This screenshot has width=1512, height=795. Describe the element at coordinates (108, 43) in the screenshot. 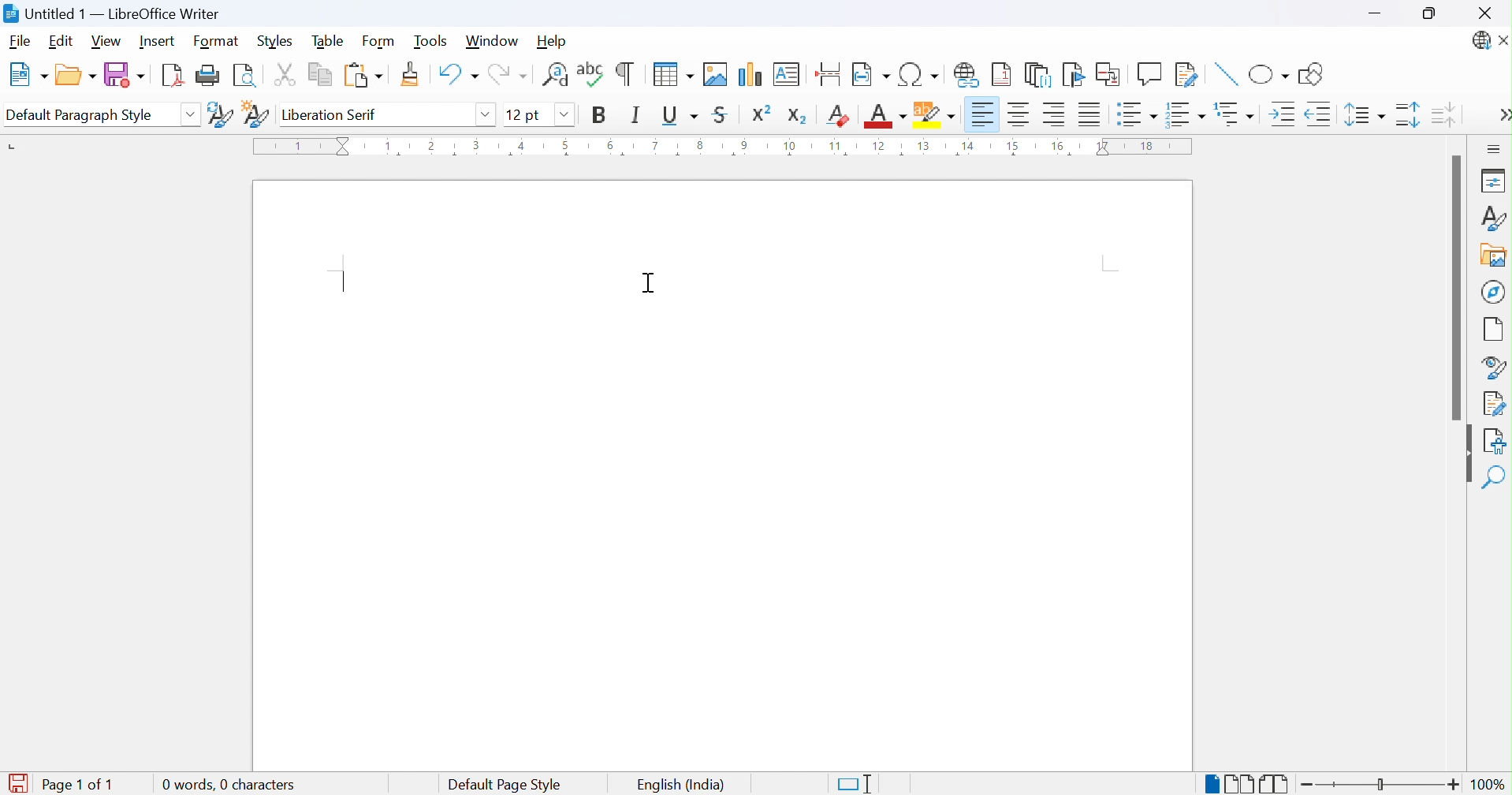

I see `View` at that location.